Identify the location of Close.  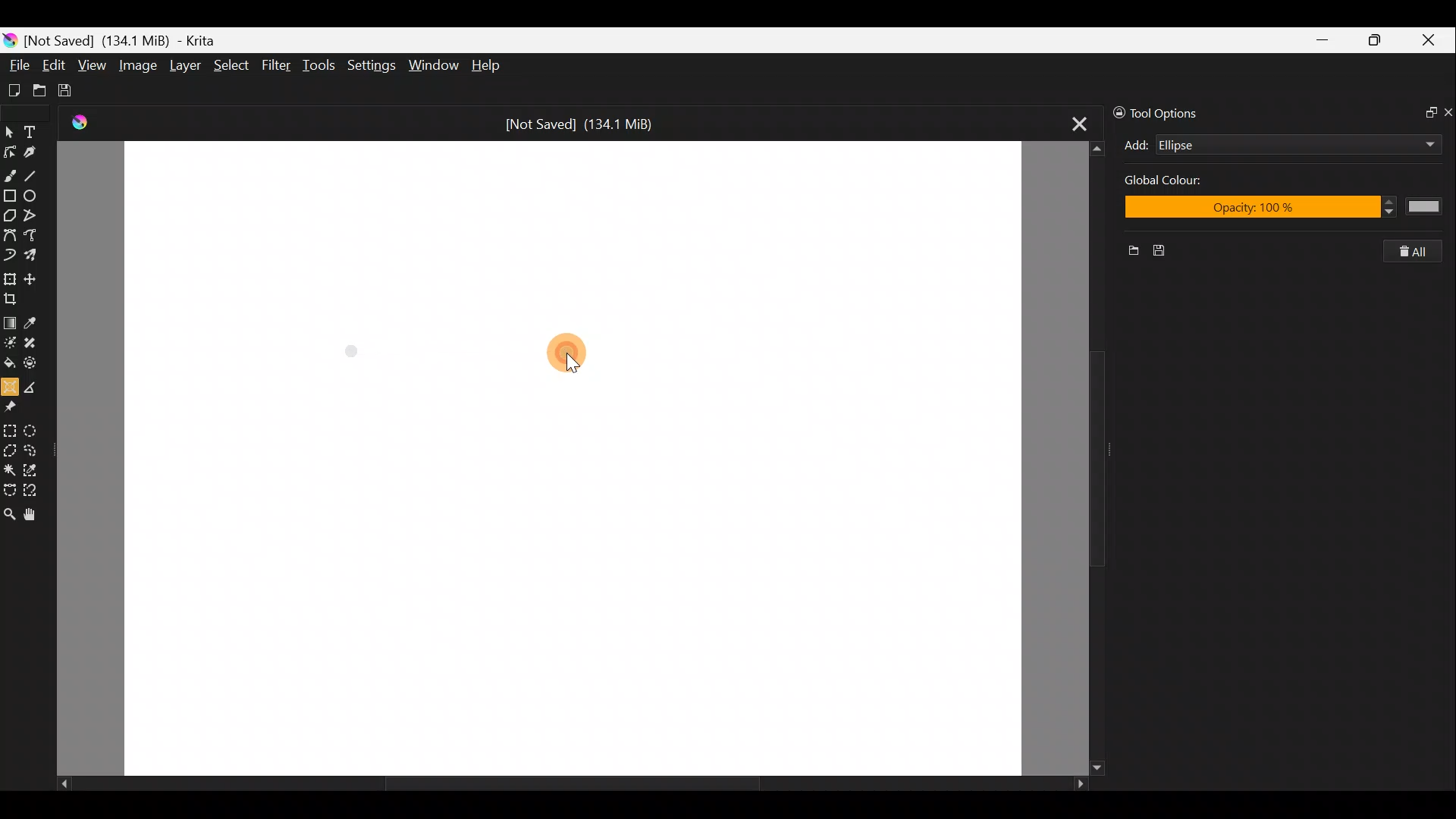
(1432, 41).